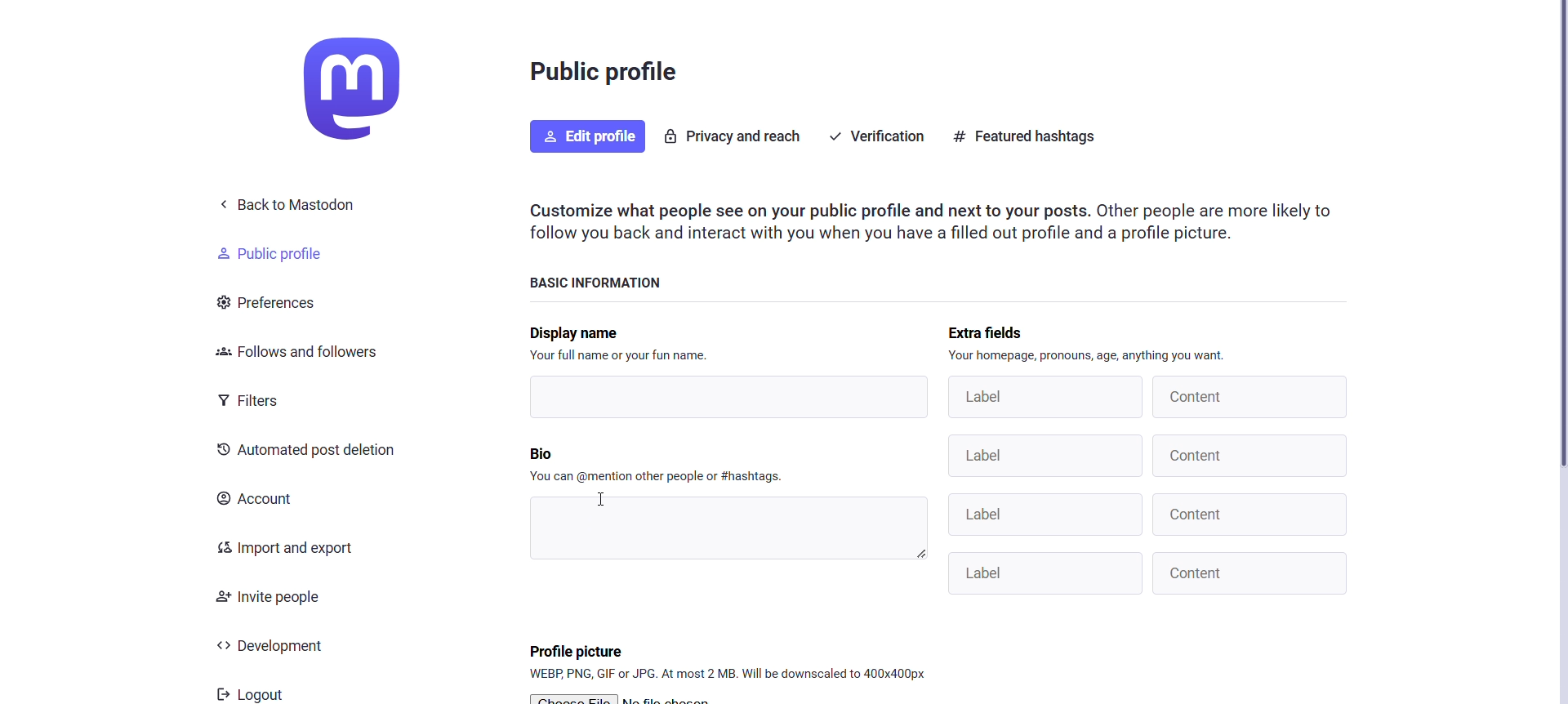 This screenshot has height=704, width=1568. What do you see at coordinates (558, 455) in the screenshot?
I see `Bio` at bounding box center [558, 455].